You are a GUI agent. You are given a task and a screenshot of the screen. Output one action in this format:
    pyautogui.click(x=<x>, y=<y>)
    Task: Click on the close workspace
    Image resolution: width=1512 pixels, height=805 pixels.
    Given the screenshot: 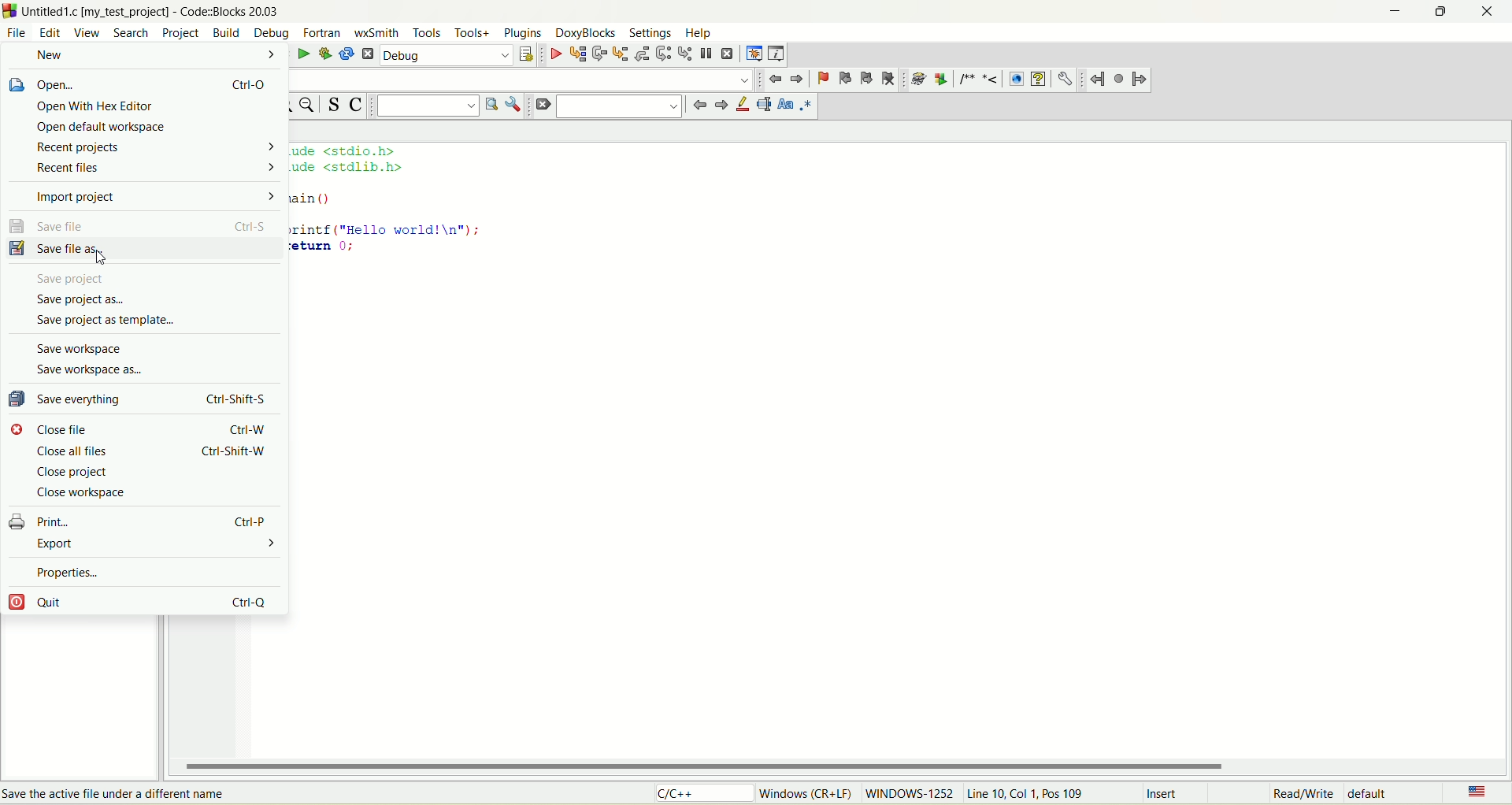 What is the action you would take?
    pyautogui.click(x=83, y=495)
    